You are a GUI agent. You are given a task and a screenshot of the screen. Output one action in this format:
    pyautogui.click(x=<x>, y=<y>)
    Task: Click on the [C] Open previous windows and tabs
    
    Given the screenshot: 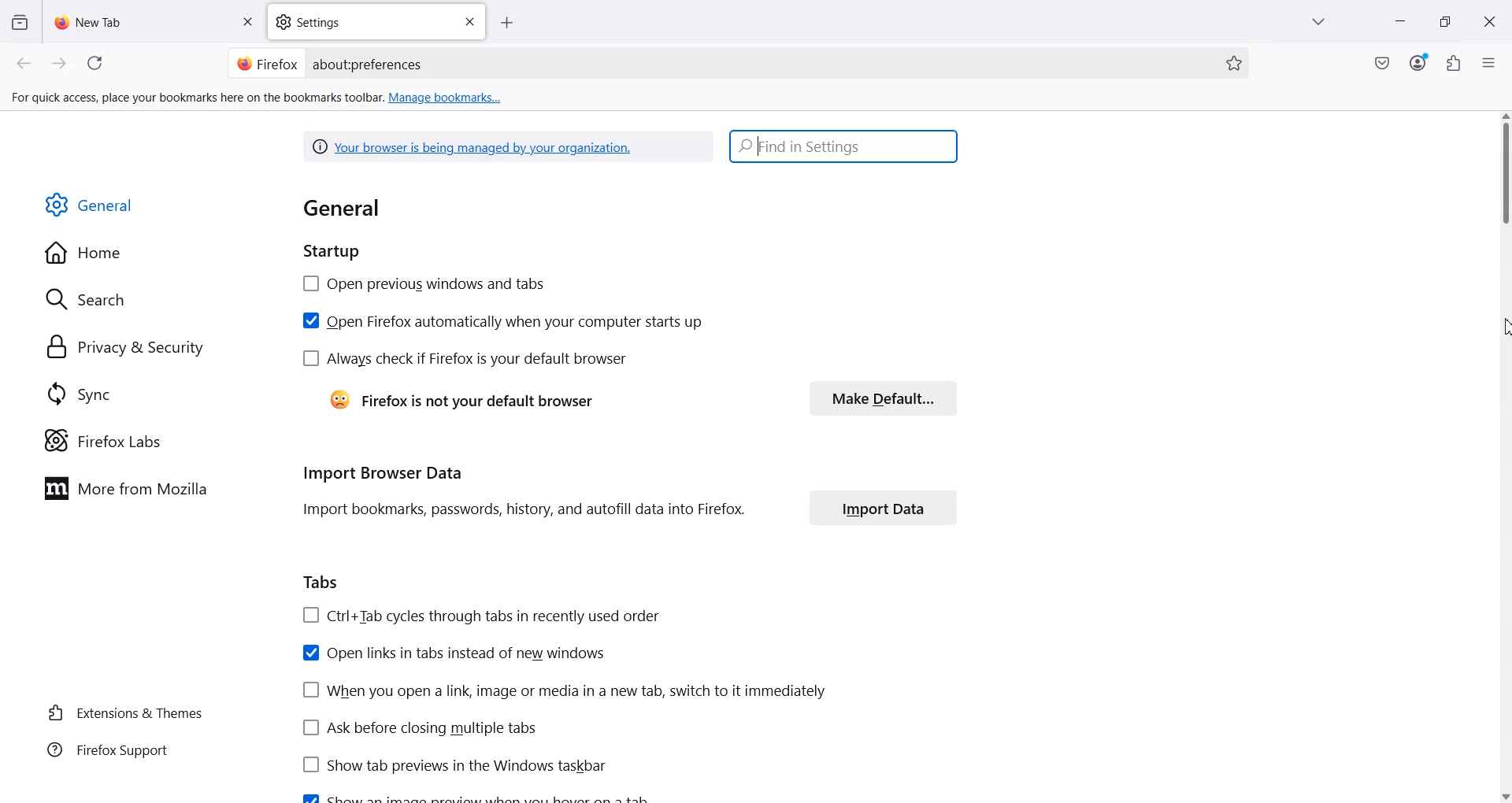 What is the action you would take?
    pyautogui.click(x=423, y=284)
    